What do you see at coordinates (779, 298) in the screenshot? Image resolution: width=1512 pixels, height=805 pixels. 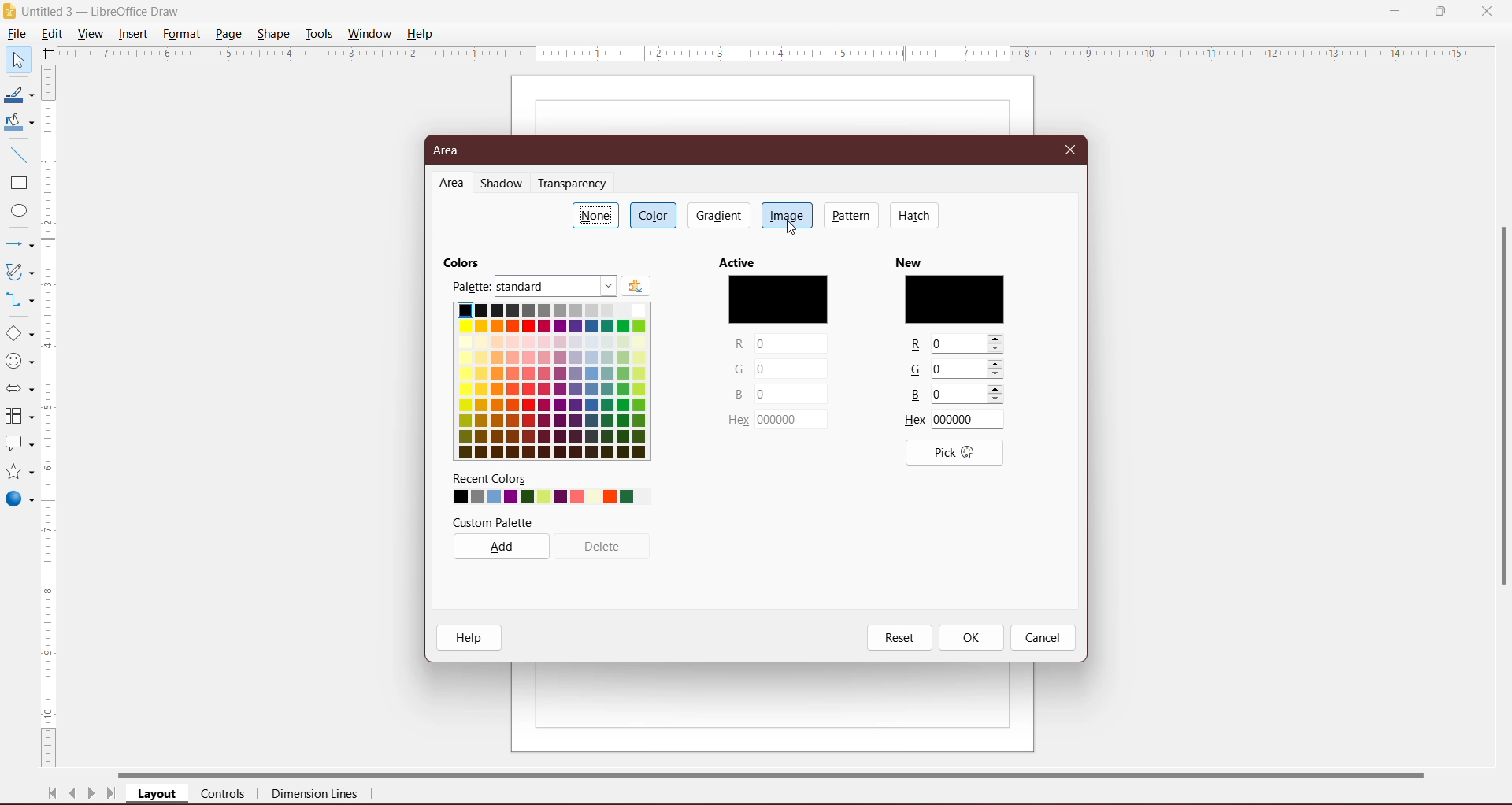 I see `Color` at bounding box center [779, 298].